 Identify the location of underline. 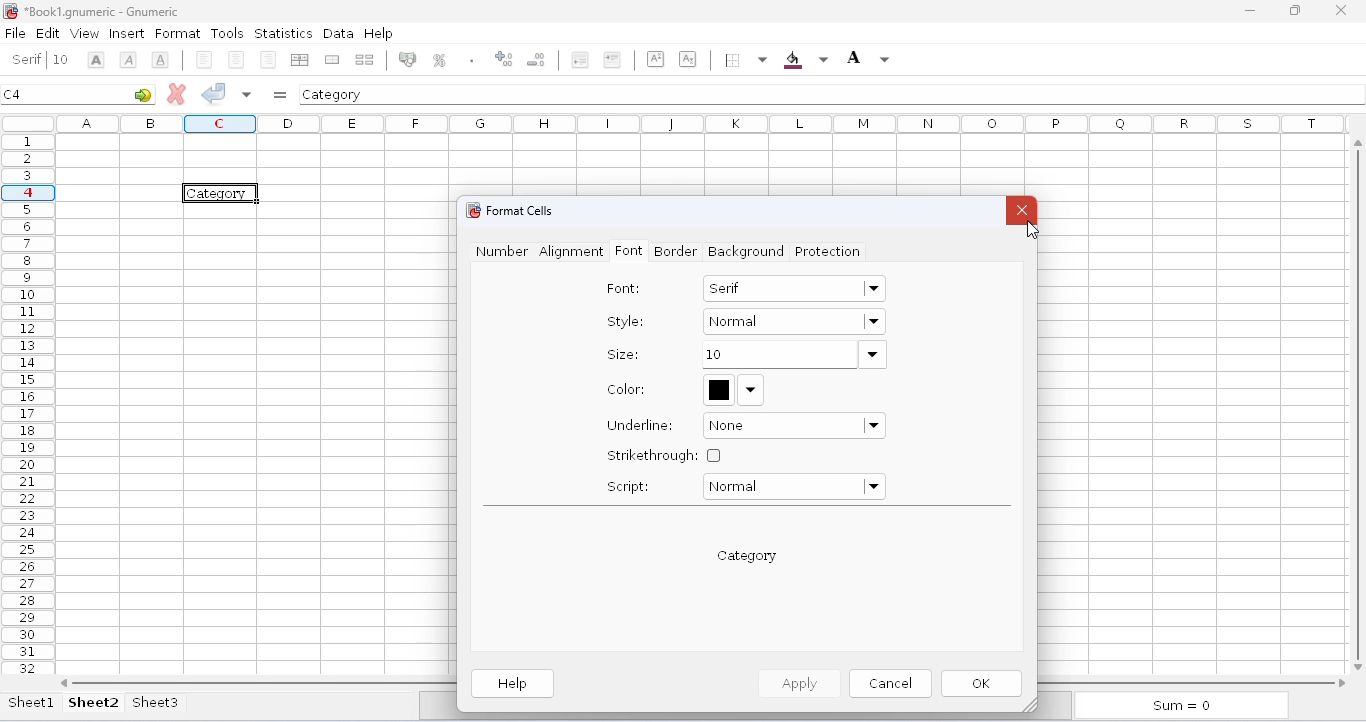
(201, 60).